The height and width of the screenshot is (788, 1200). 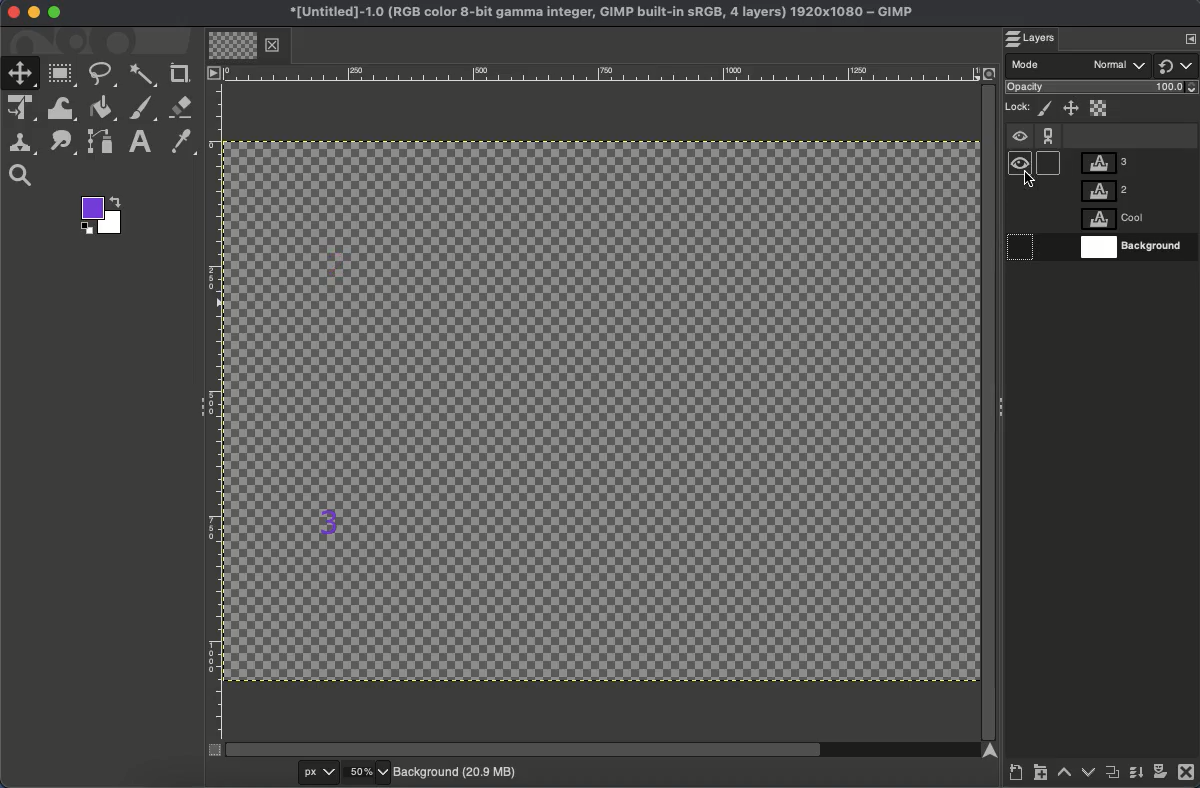 What do you see at coordinates (103, 145) in the screenshot?
I see `Path` at bounding box center [103, 145].